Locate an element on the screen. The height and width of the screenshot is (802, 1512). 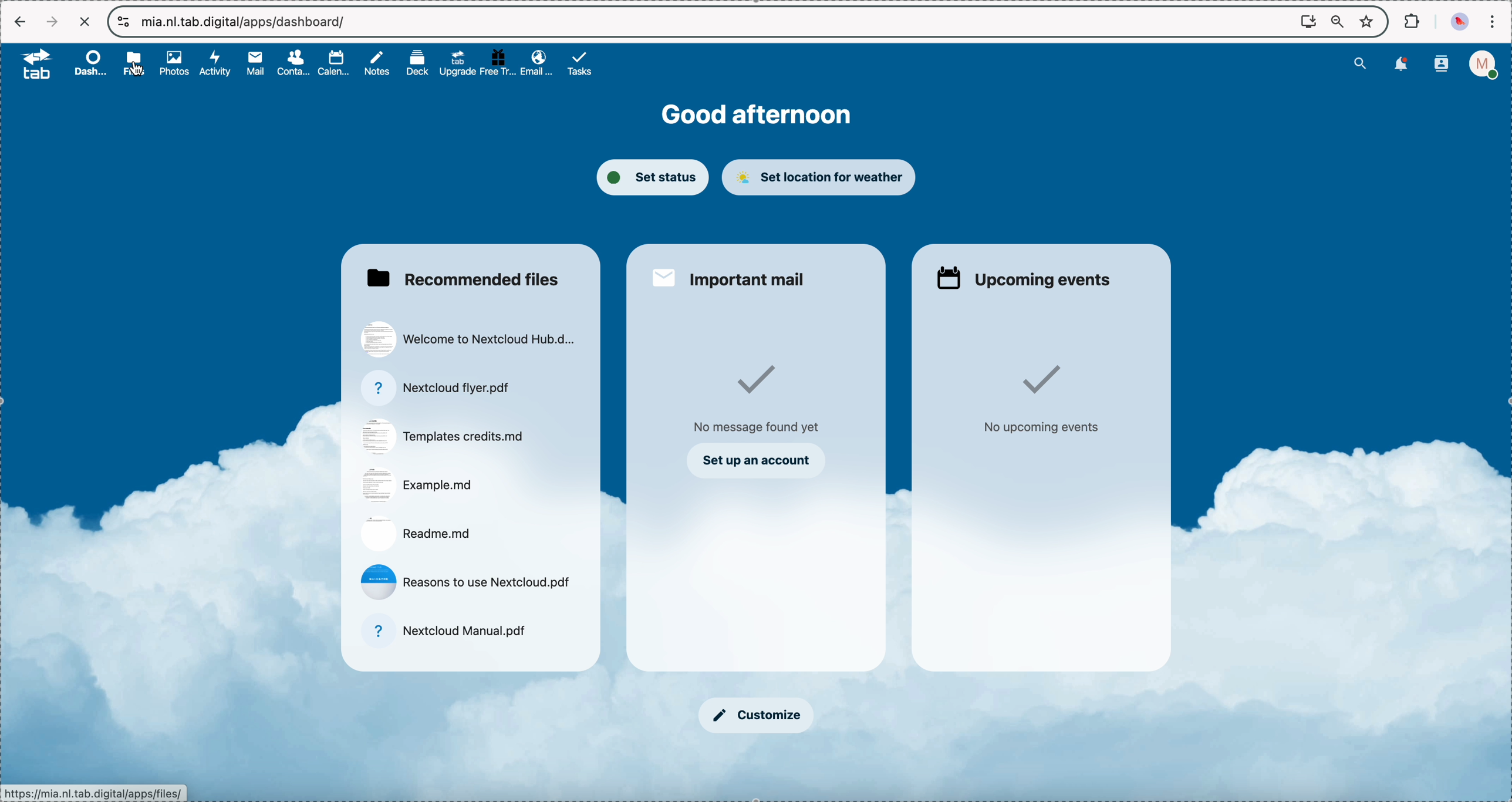
customize and control Google Chrome is located at coordinates (1491, 21).